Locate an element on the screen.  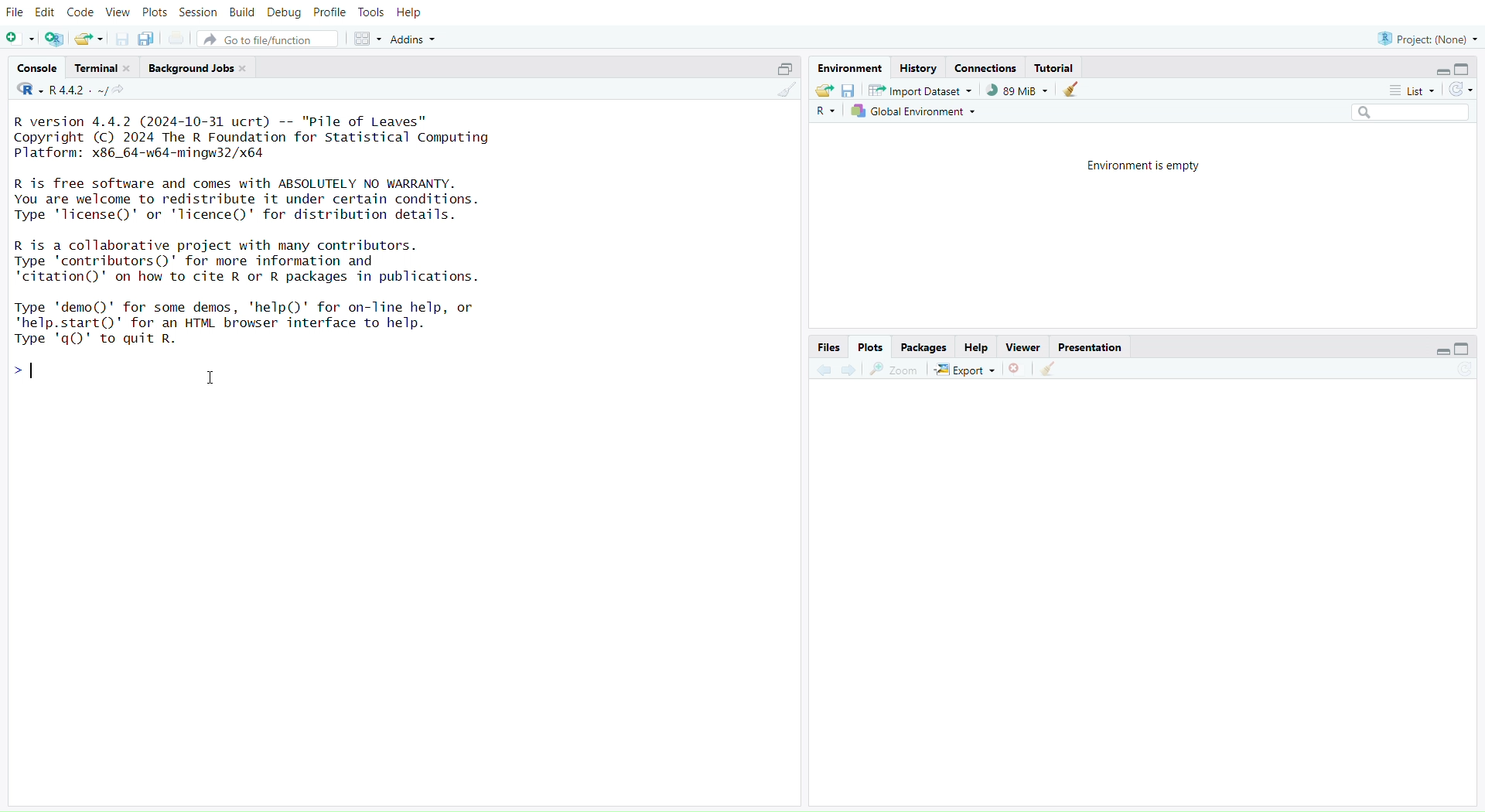
Minimize is located at coordinates (1439, 350).